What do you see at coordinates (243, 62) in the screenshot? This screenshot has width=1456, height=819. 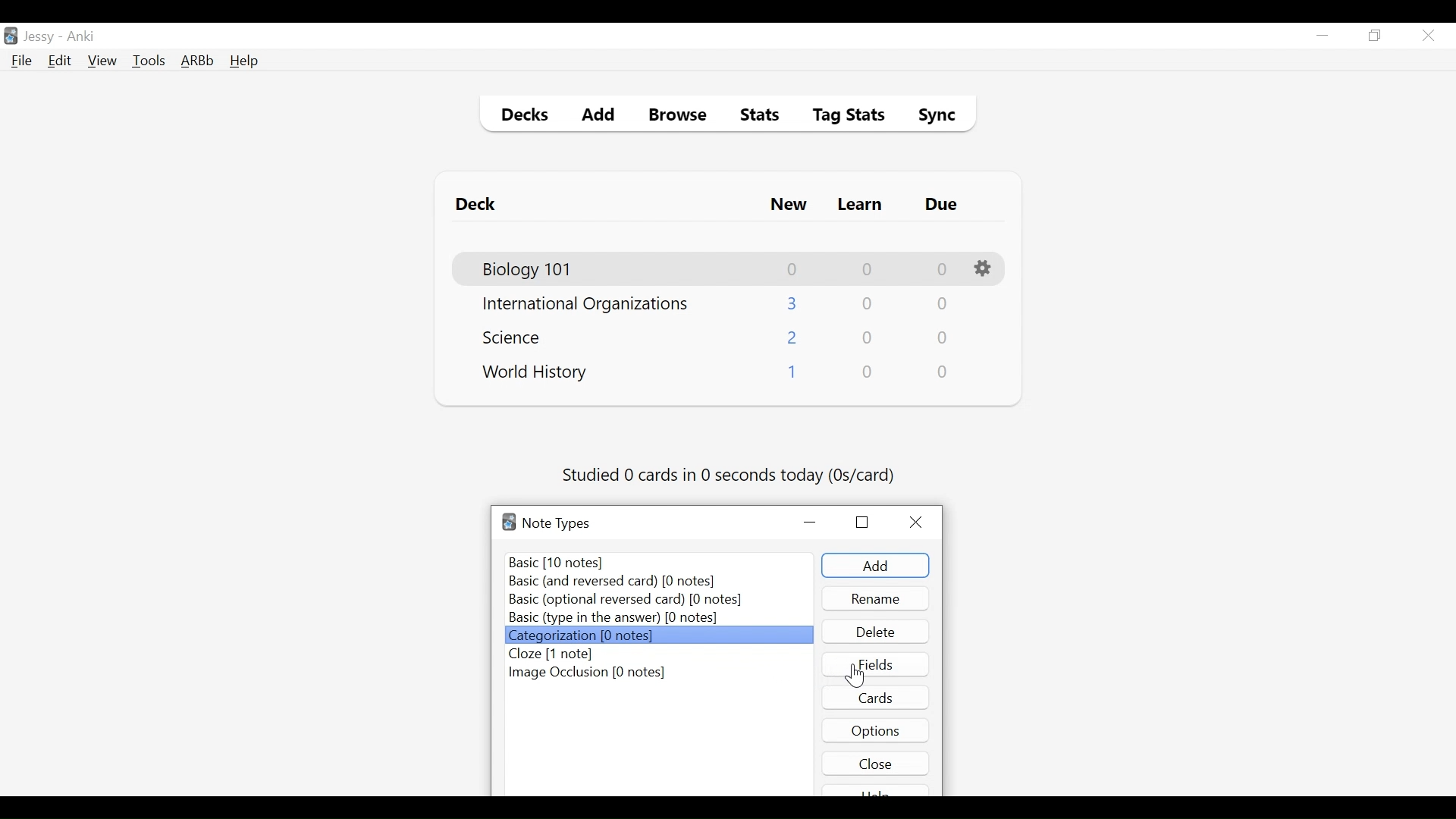 I see `Help` at bounding box center [243, 62].